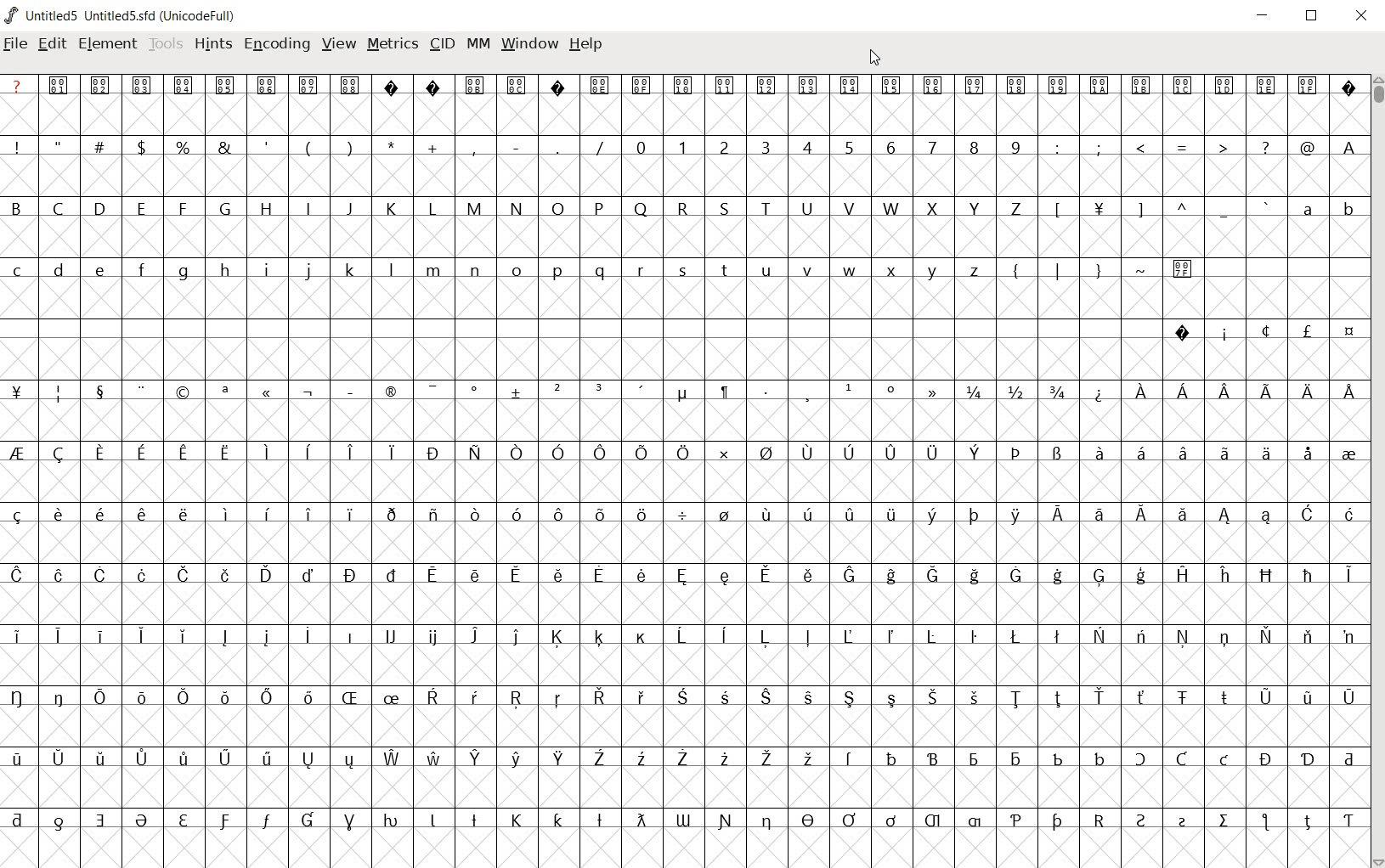 The width and height of the screenshot is (1385, 868). I want to click on Symbol, so click(848, 391).